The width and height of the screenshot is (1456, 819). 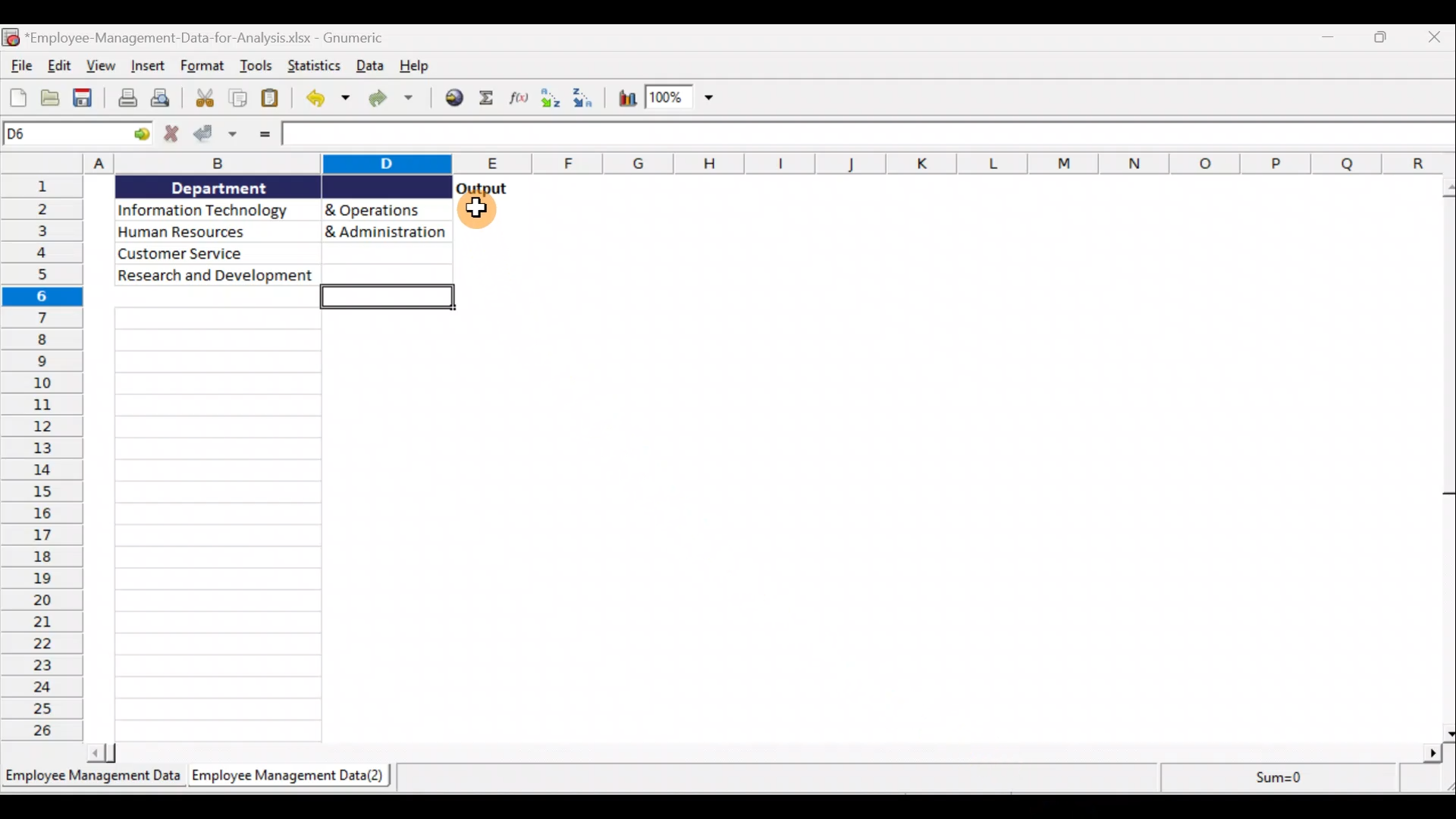 What do you see at coordinates (85, 98) in the screenshot?
I see `Save the current workbook` at bounding box center [85, 98].